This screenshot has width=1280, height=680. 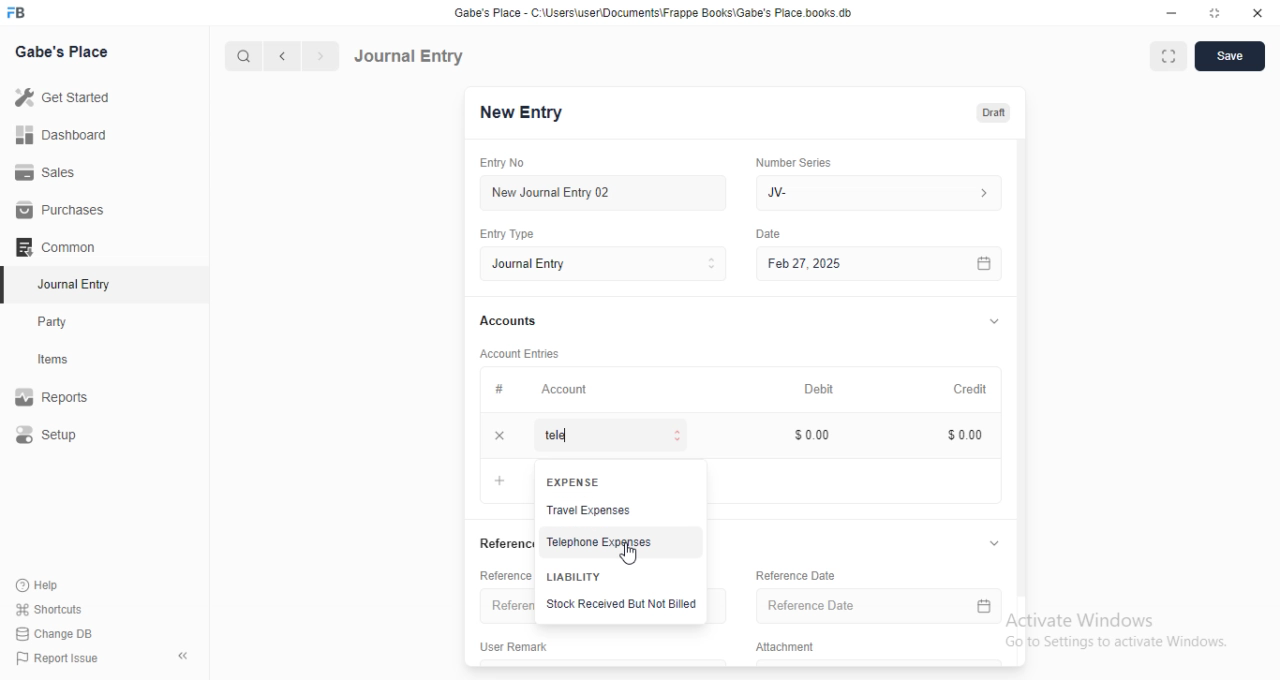 I want to click on Entry No, so click(x=500, y=161).